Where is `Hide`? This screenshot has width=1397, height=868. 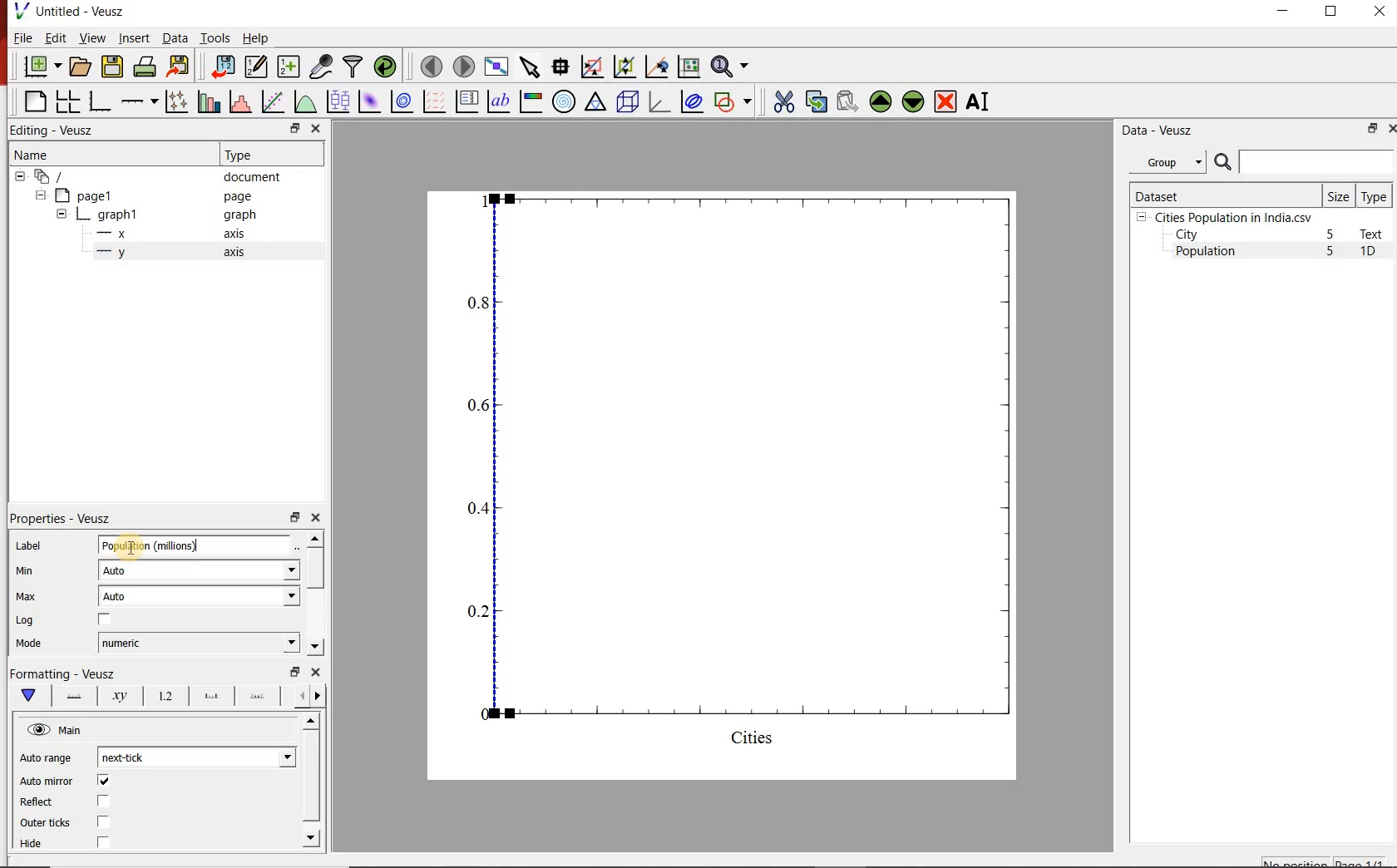 Hide is located at coordinates (39, 847).